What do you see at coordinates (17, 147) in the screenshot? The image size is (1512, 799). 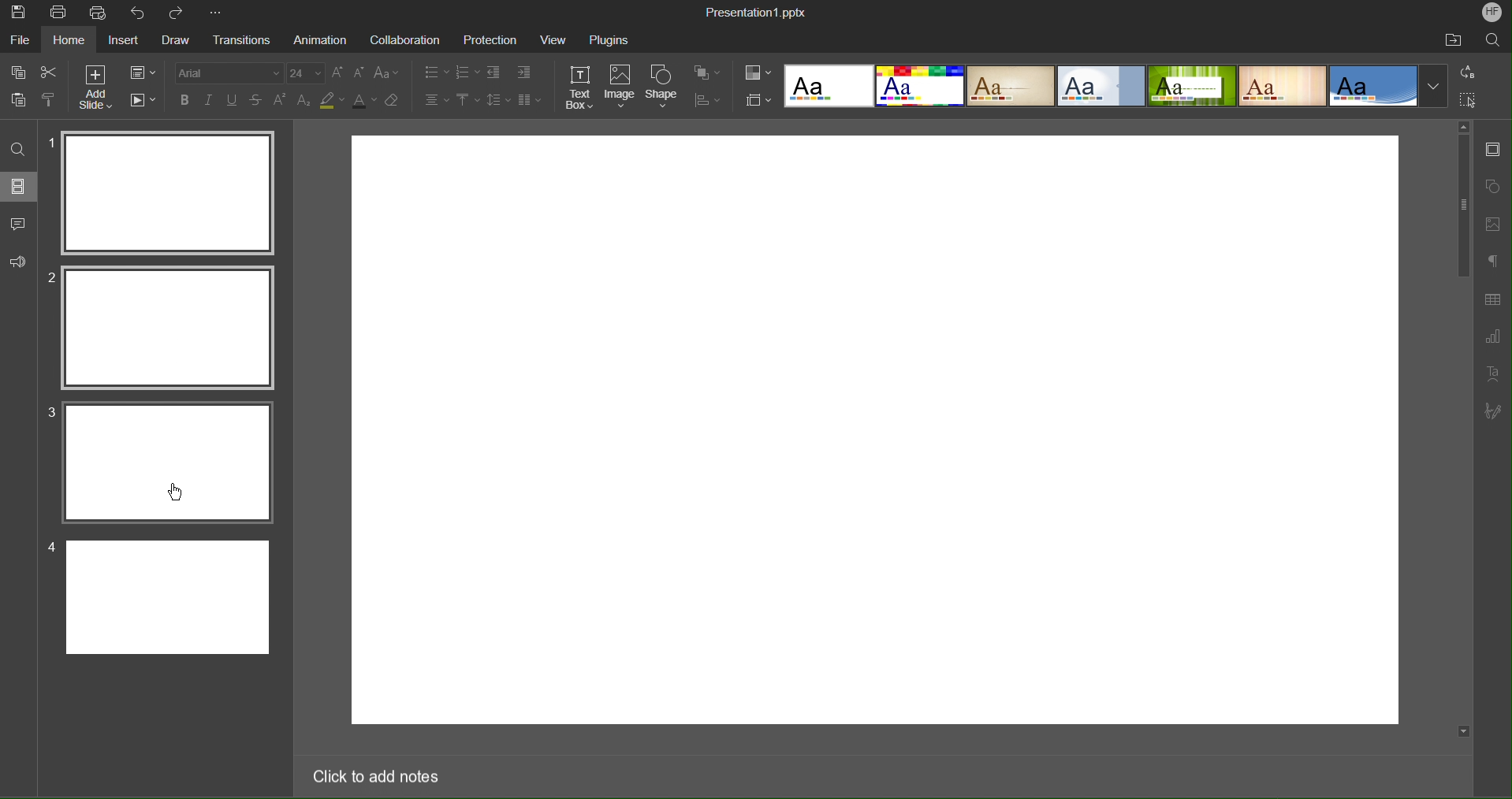 I see `Search` at bounding box center [17, 147].